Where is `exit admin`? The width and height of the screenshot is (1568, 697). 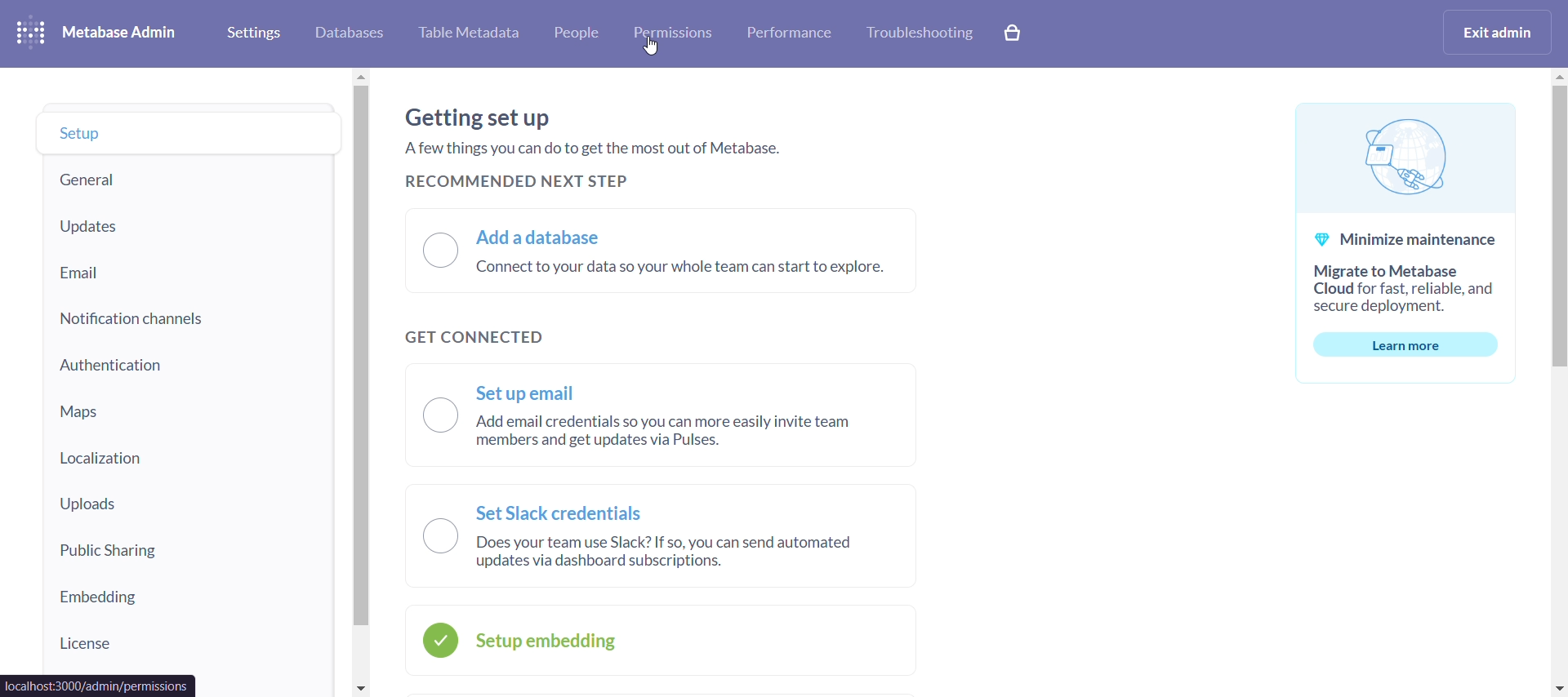 exit admin is located at coordinates (1495, 33).